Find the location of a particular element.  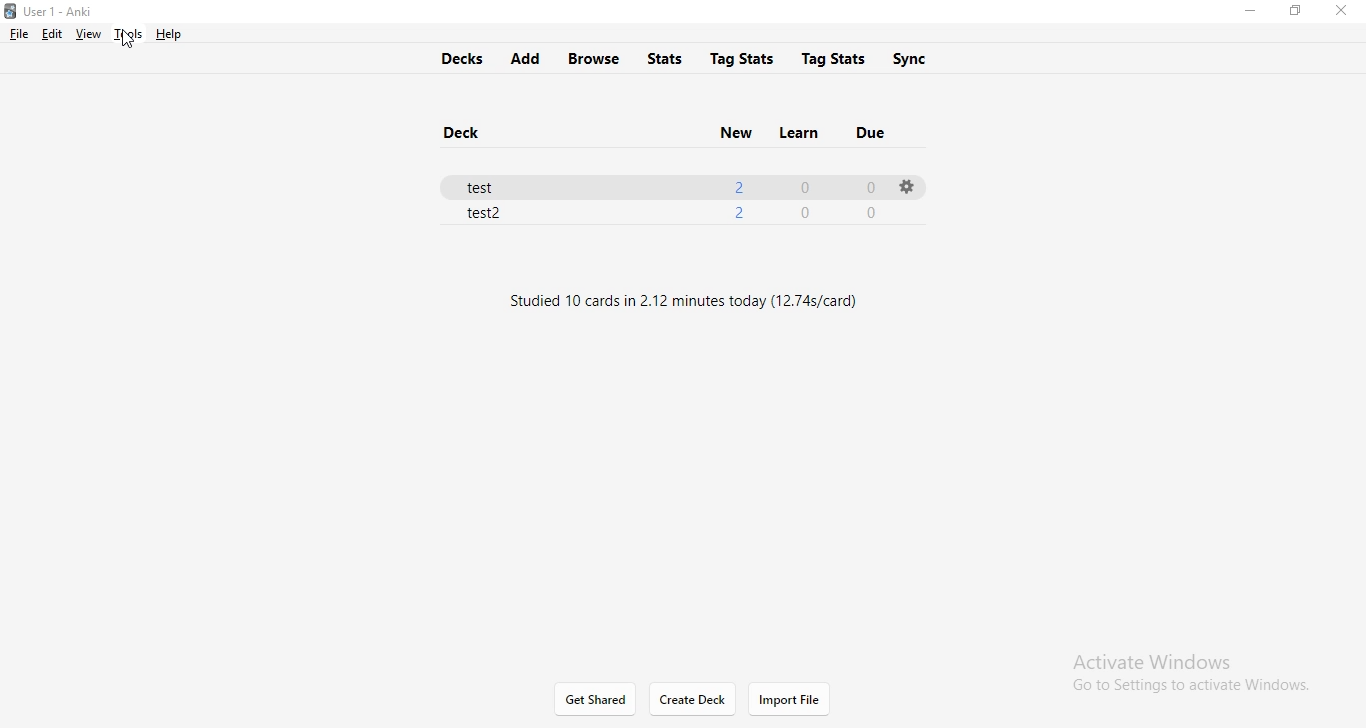

test2 is located at coordinates (488, 215).